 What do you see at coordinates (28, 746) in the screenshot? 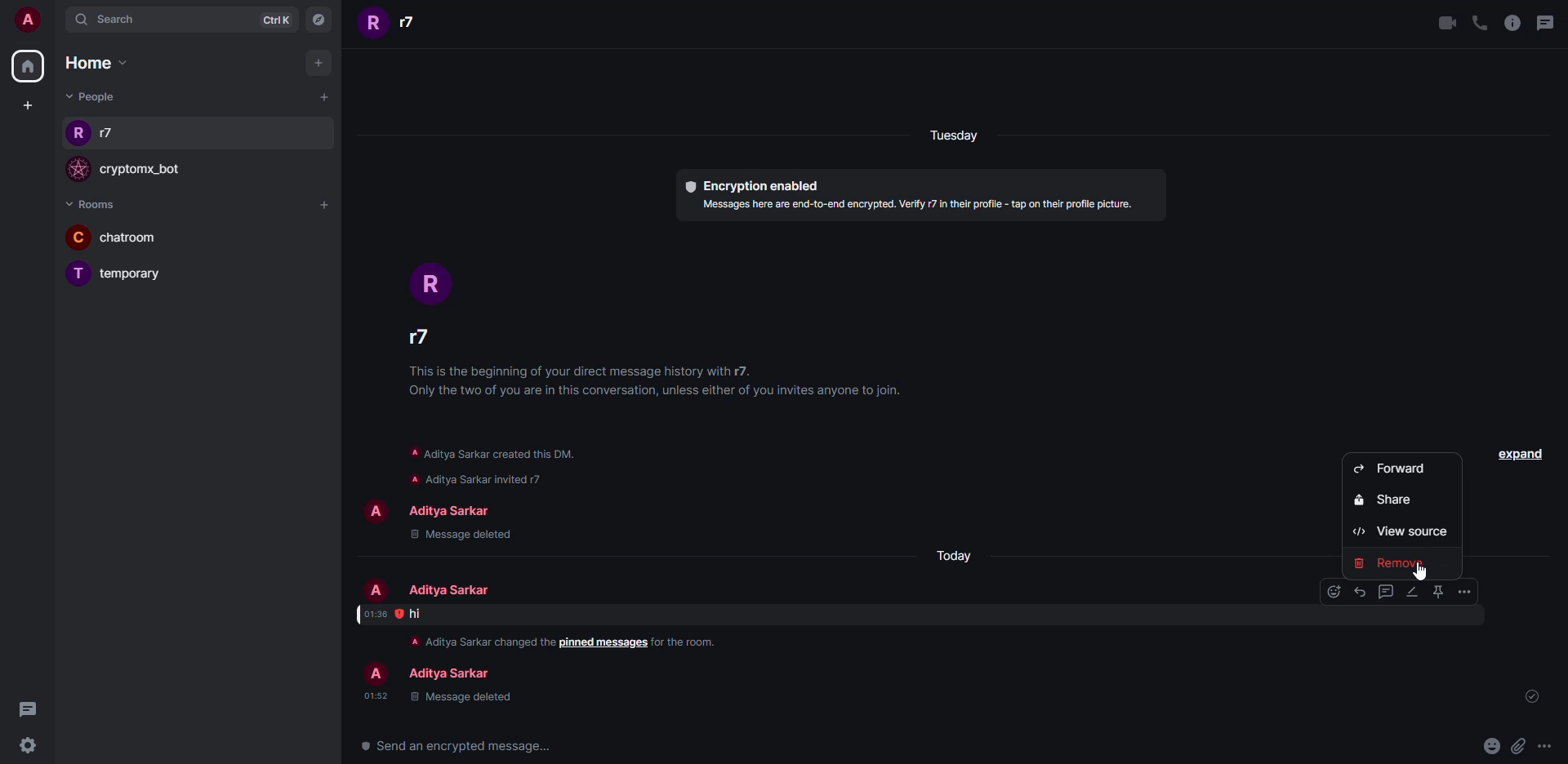
I see `settings` at bounding box center [28, 746].